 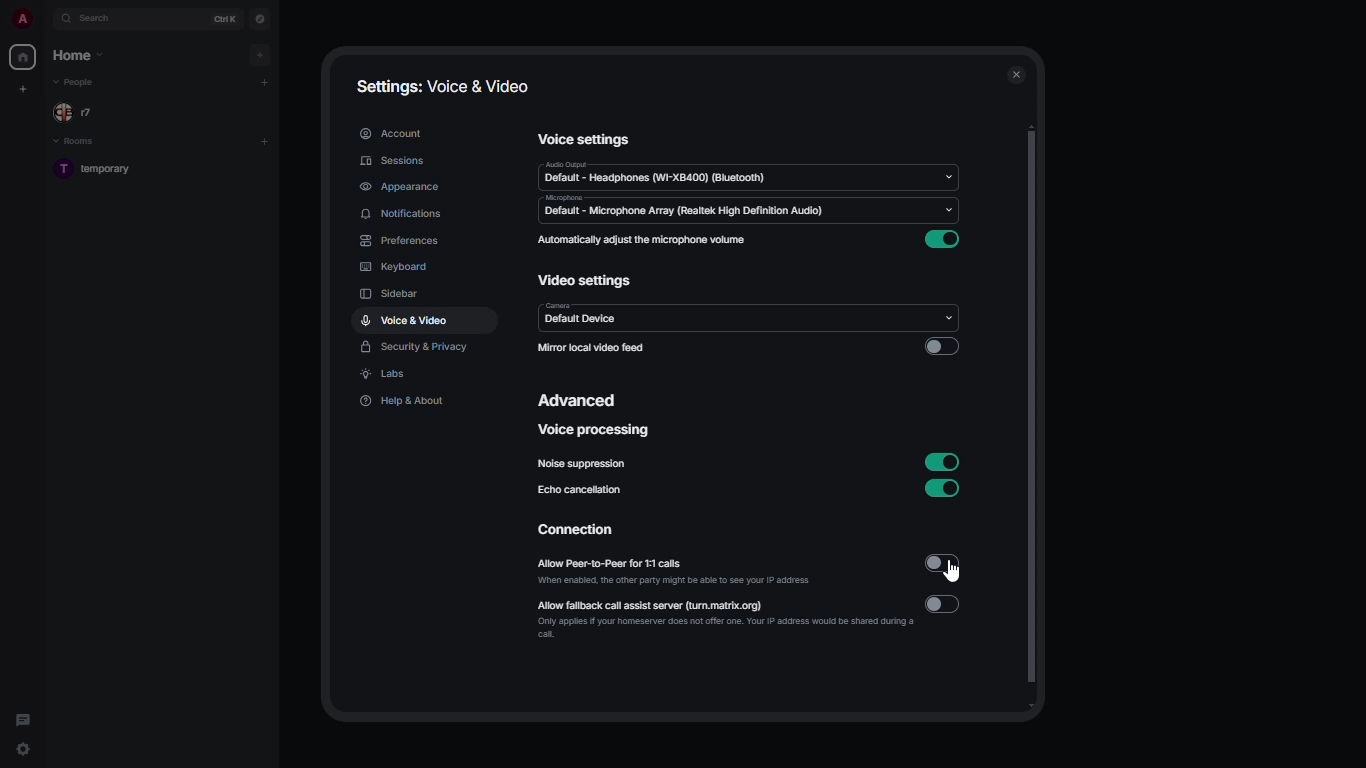 What do you see at coordinates (267, 82) in the screenshot?
I see `add` at bounding box center [267, 82].